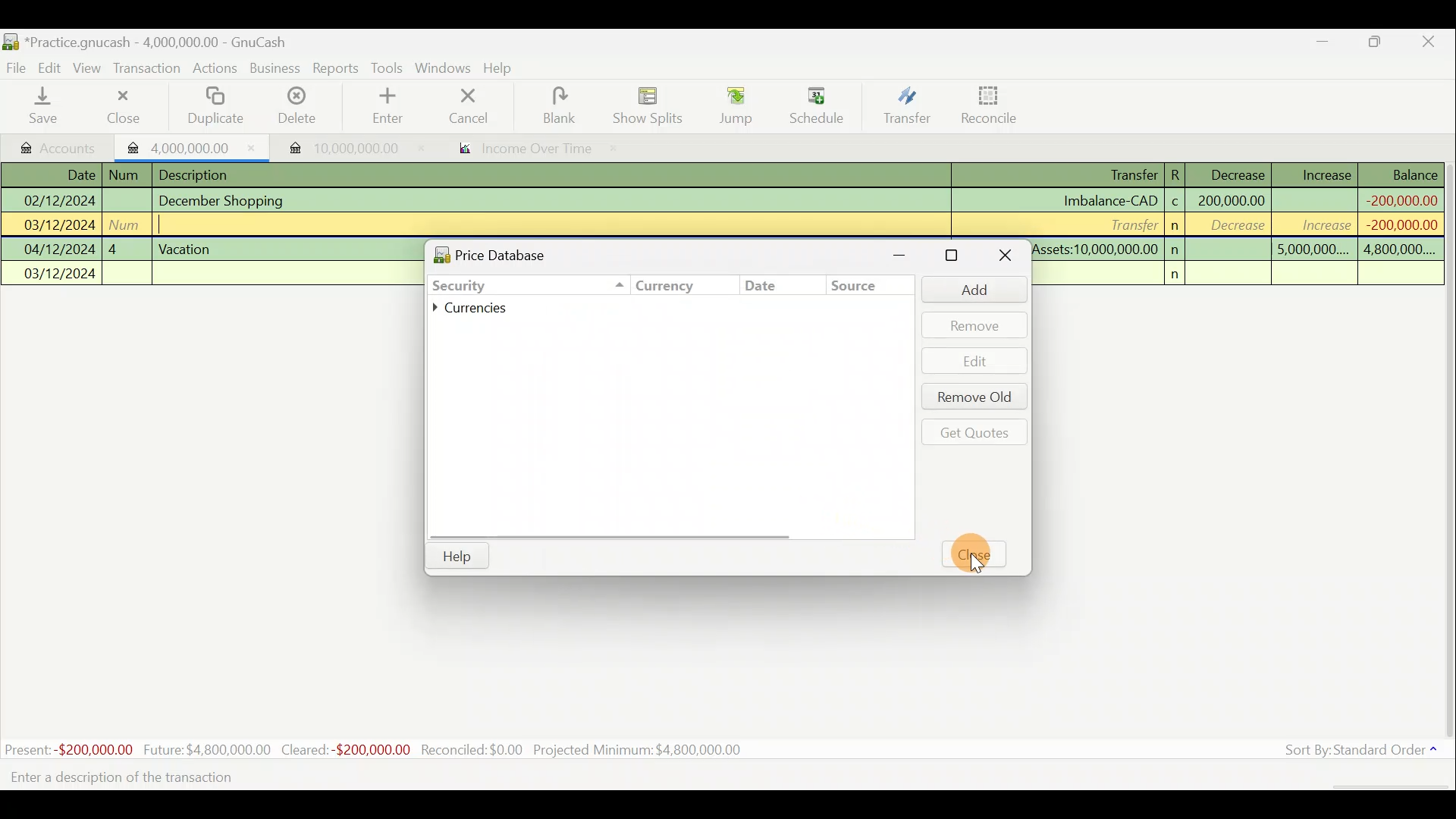 The height and width of the screenshot is (819, 1456). Describe the element at coordinates (654, 288) in the screenshot. I see `currency` at that location.